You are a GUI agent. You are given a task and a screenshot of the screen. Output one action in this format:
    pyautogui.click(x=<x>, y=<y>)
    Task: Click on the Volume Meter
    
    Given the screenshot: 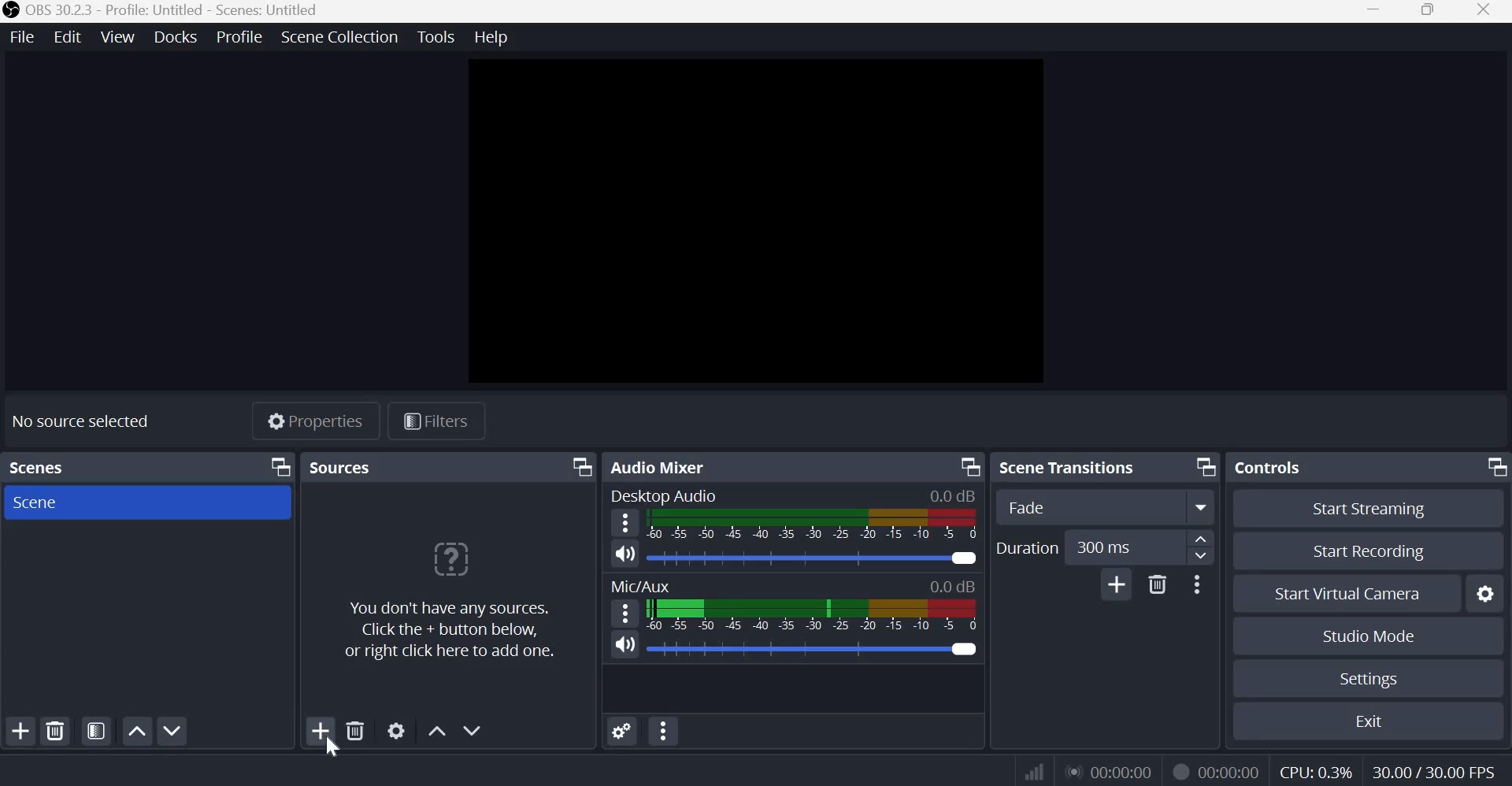 What is the action you would take?
    pyautogui.click(x=814, y=525)
    